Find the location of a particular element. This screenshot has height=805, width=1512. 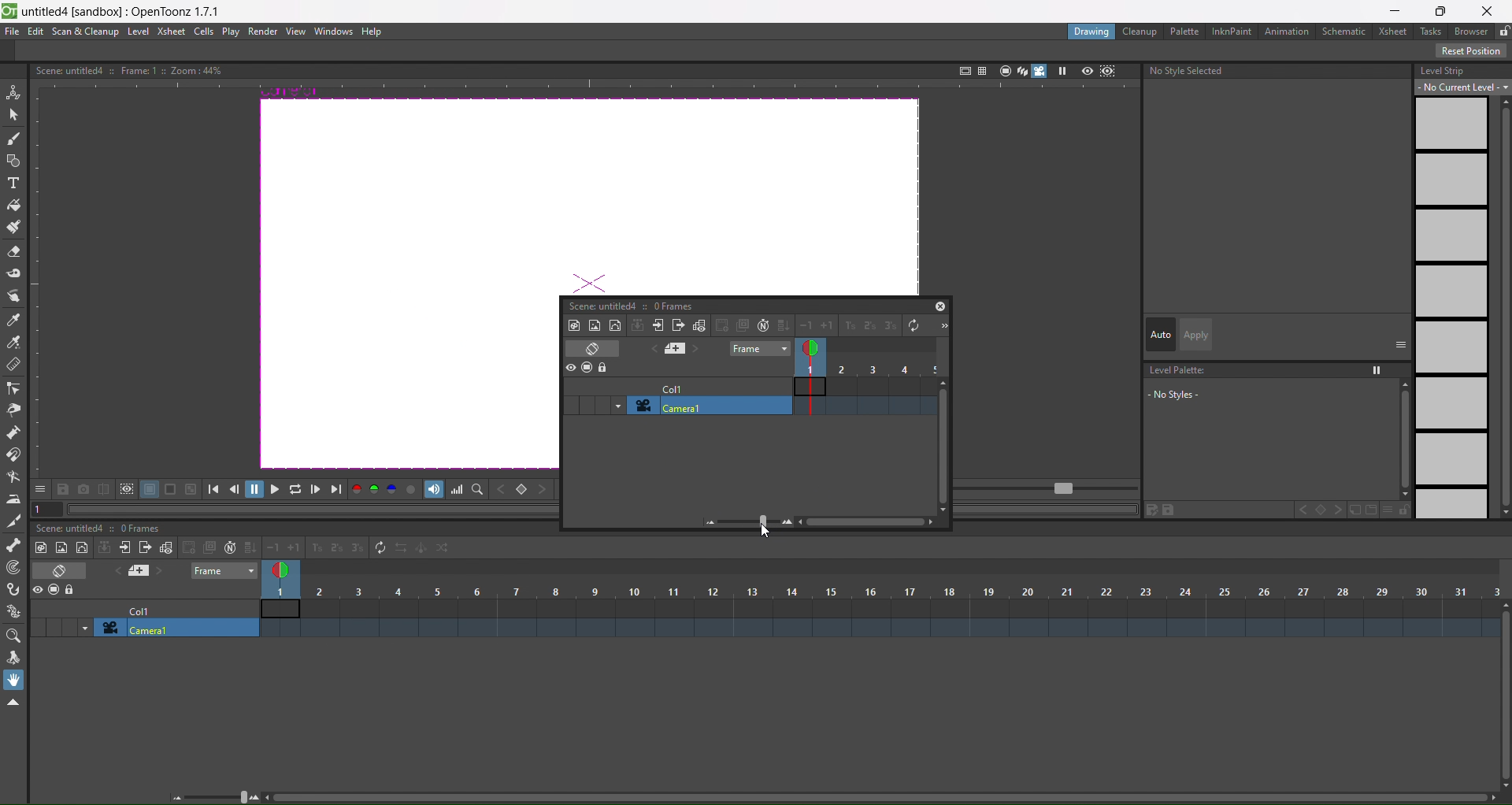

scan & cleanup is located at coordinates (86, 32).